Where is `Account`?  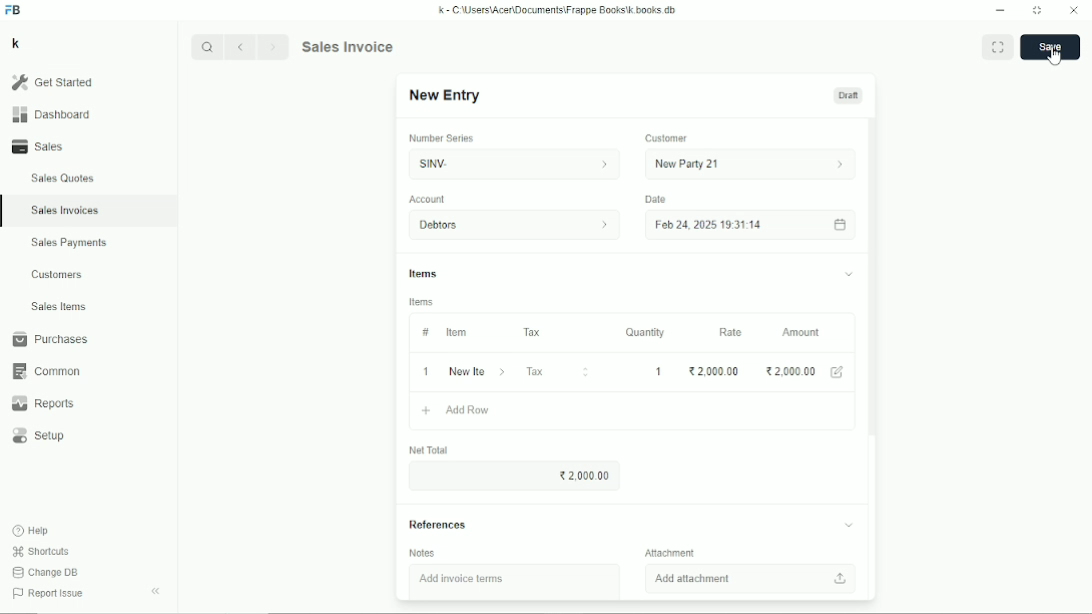
Account is located at coordinates (428, 199).